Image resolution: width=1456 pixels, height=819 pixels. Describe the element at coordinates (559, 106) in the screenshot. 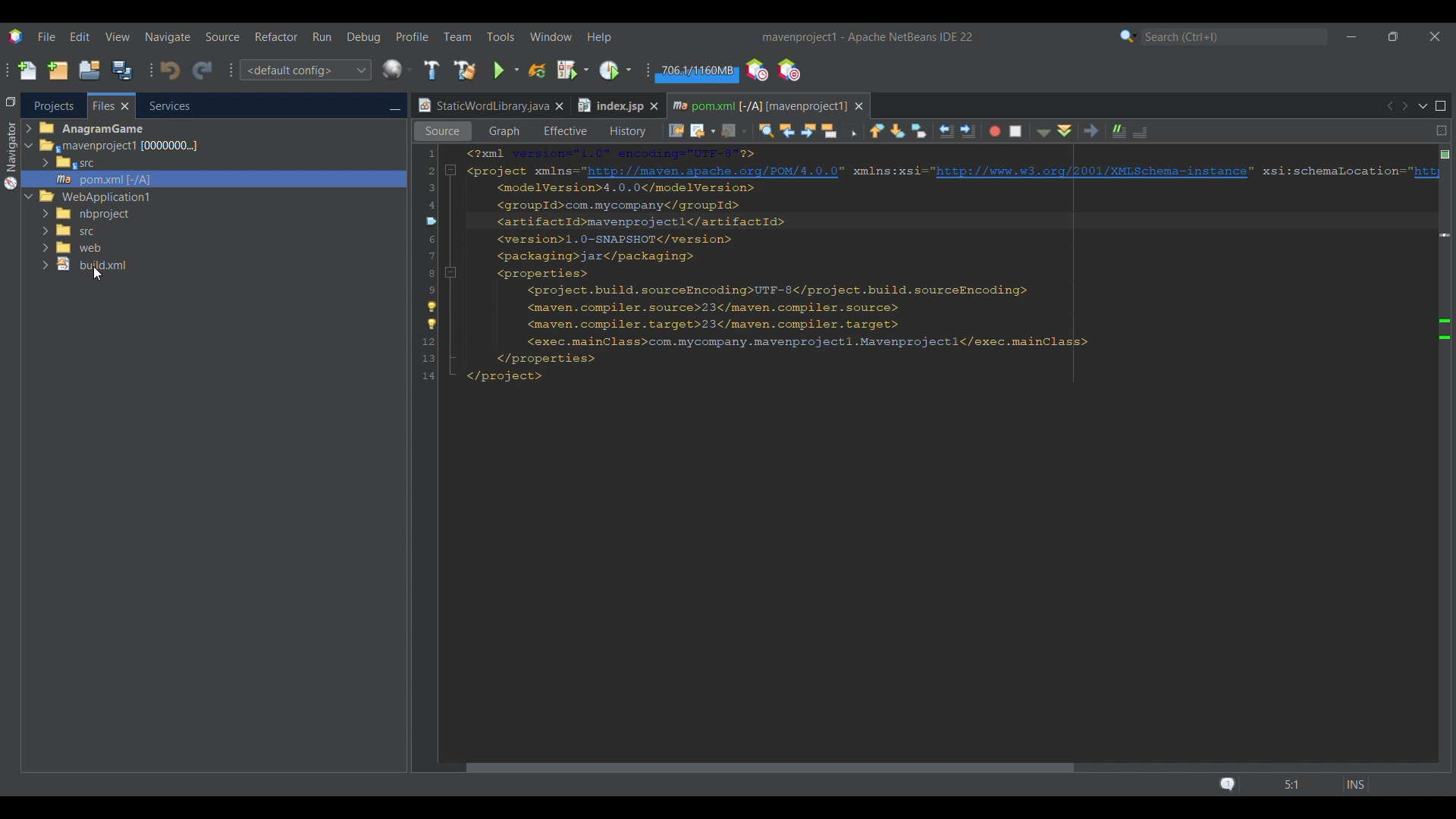

I see `Close tab` at that location.